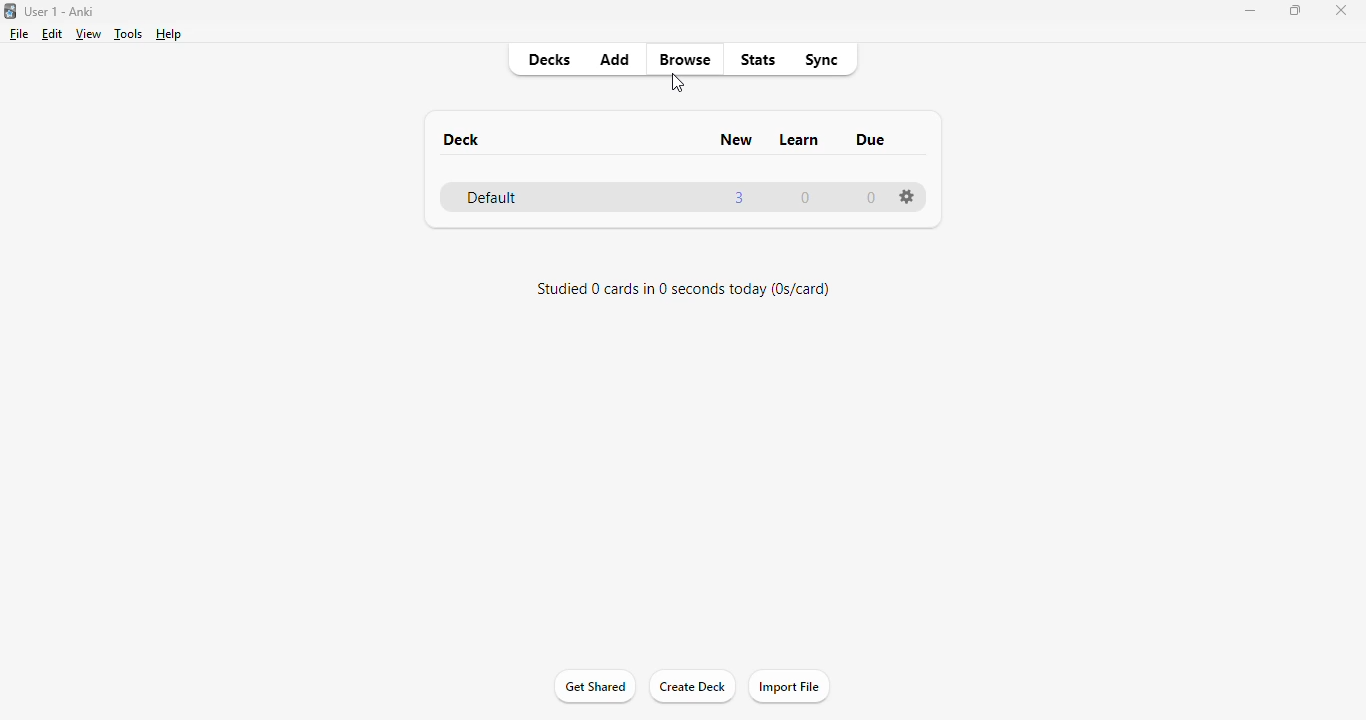 Image resolution: width=1366 pixels, height=720 pixels. What do you see at coordinates (1250, 11) in the screenshot?
I see `minimize` at bounding box center [1250, 11].